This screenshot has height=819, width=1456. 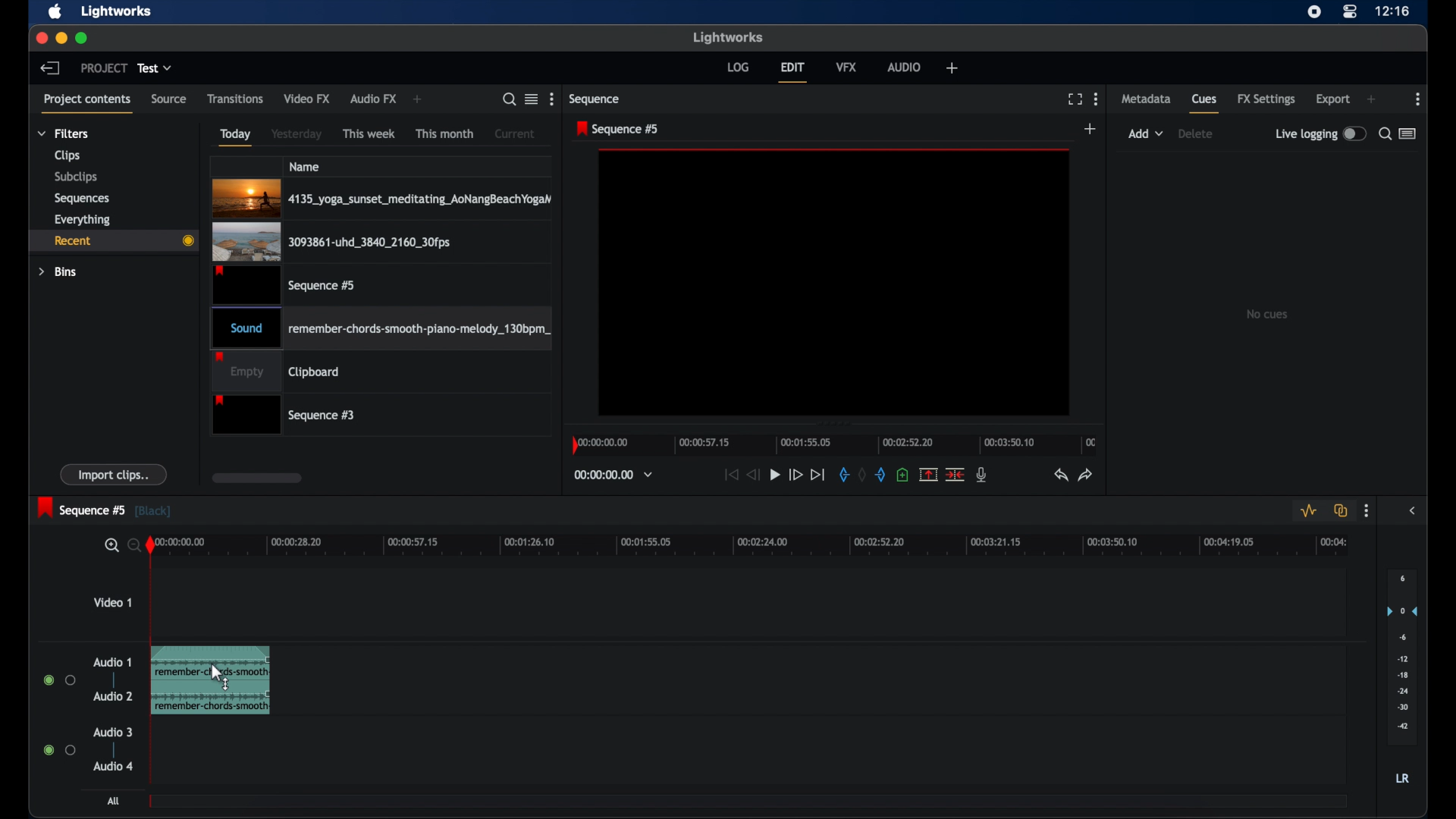 What do you see at coordinates (1146, 133) in the screenshot?
I see `add` at bounding box center [1146, 133].